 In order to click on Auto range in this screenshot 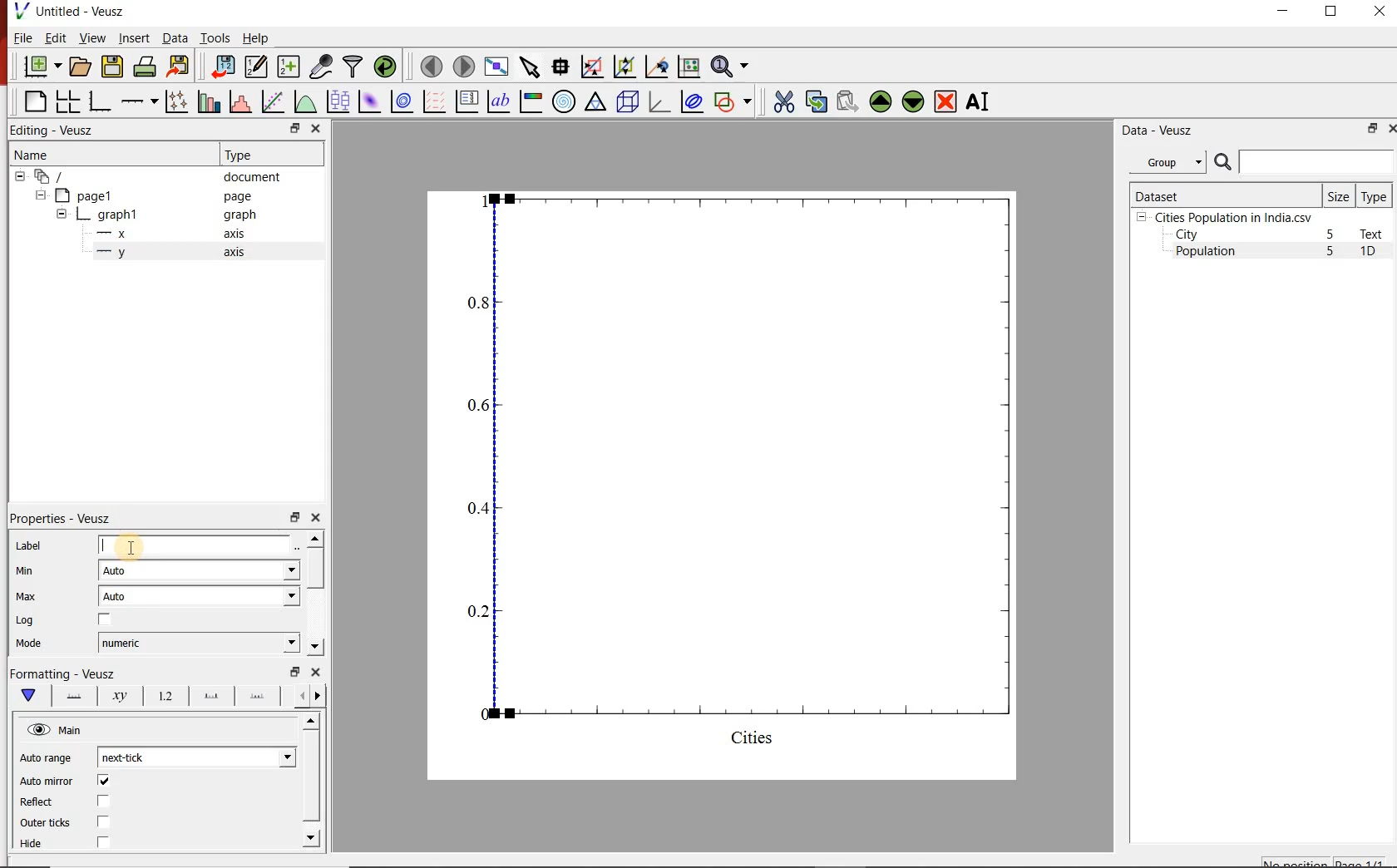, I will do `click(47, 758)`.